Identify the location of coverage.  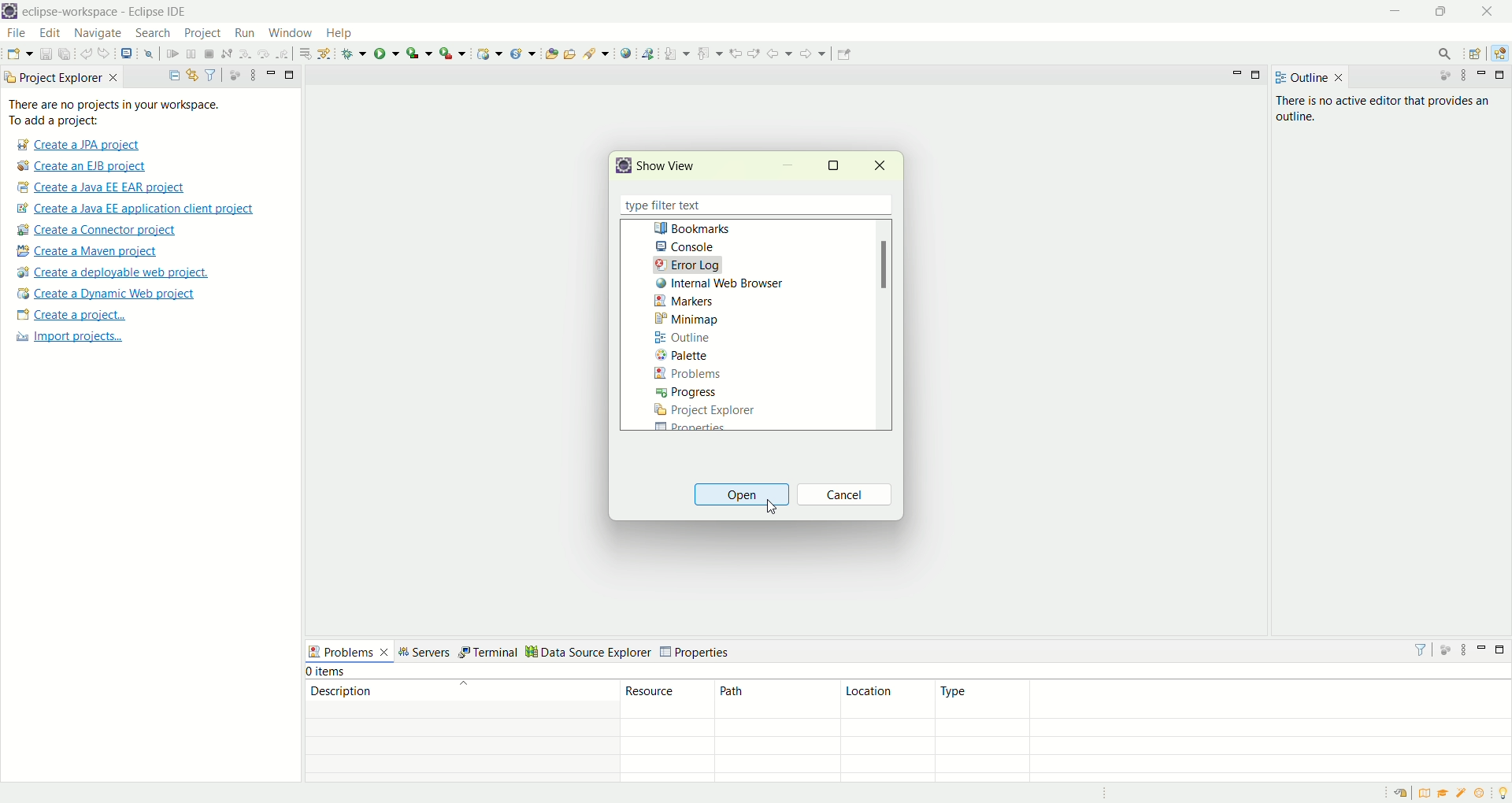
(418, 53).